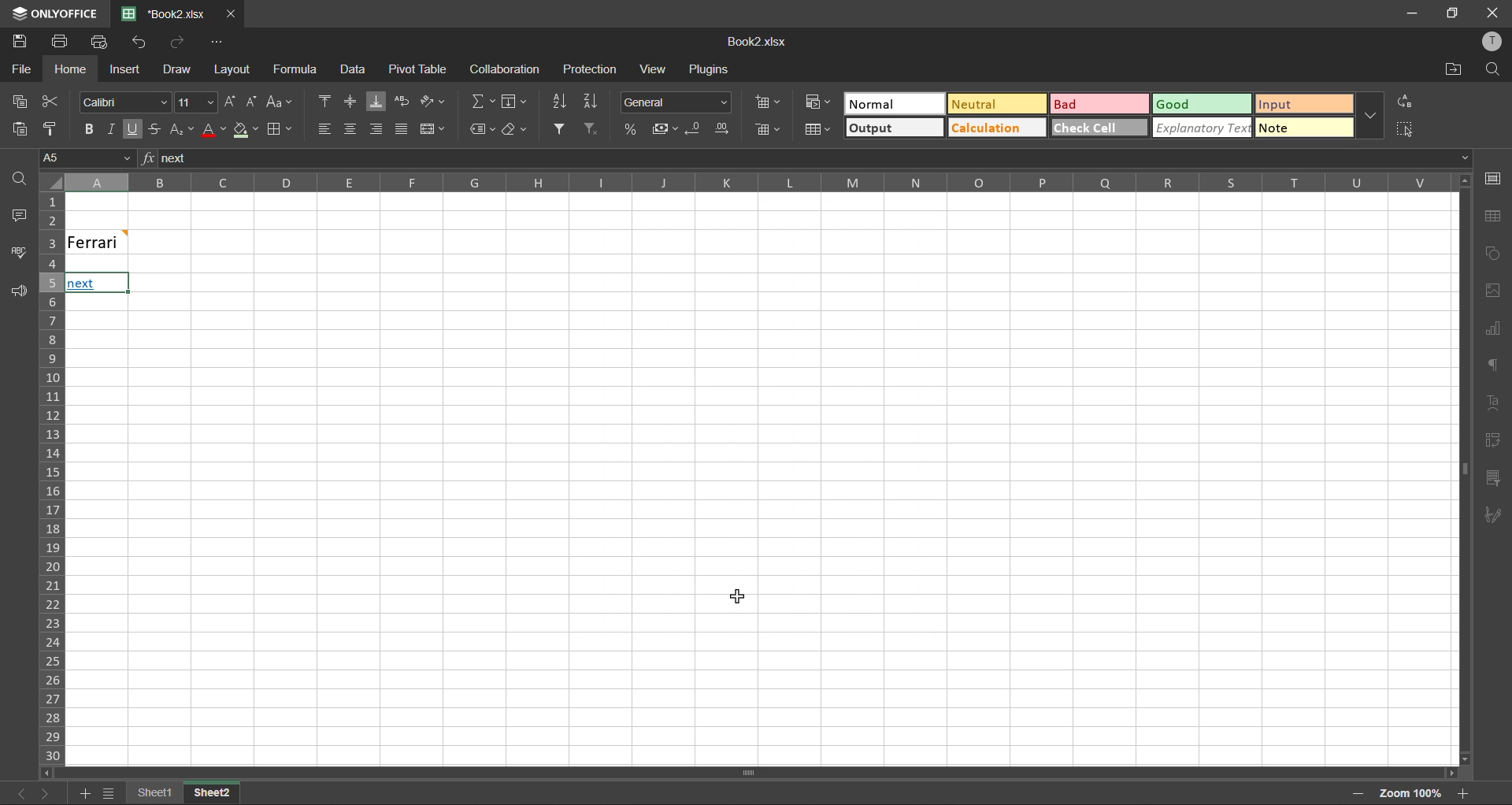 The image size is (1512, 805). I want to click on Cursor, so click(741, 605).